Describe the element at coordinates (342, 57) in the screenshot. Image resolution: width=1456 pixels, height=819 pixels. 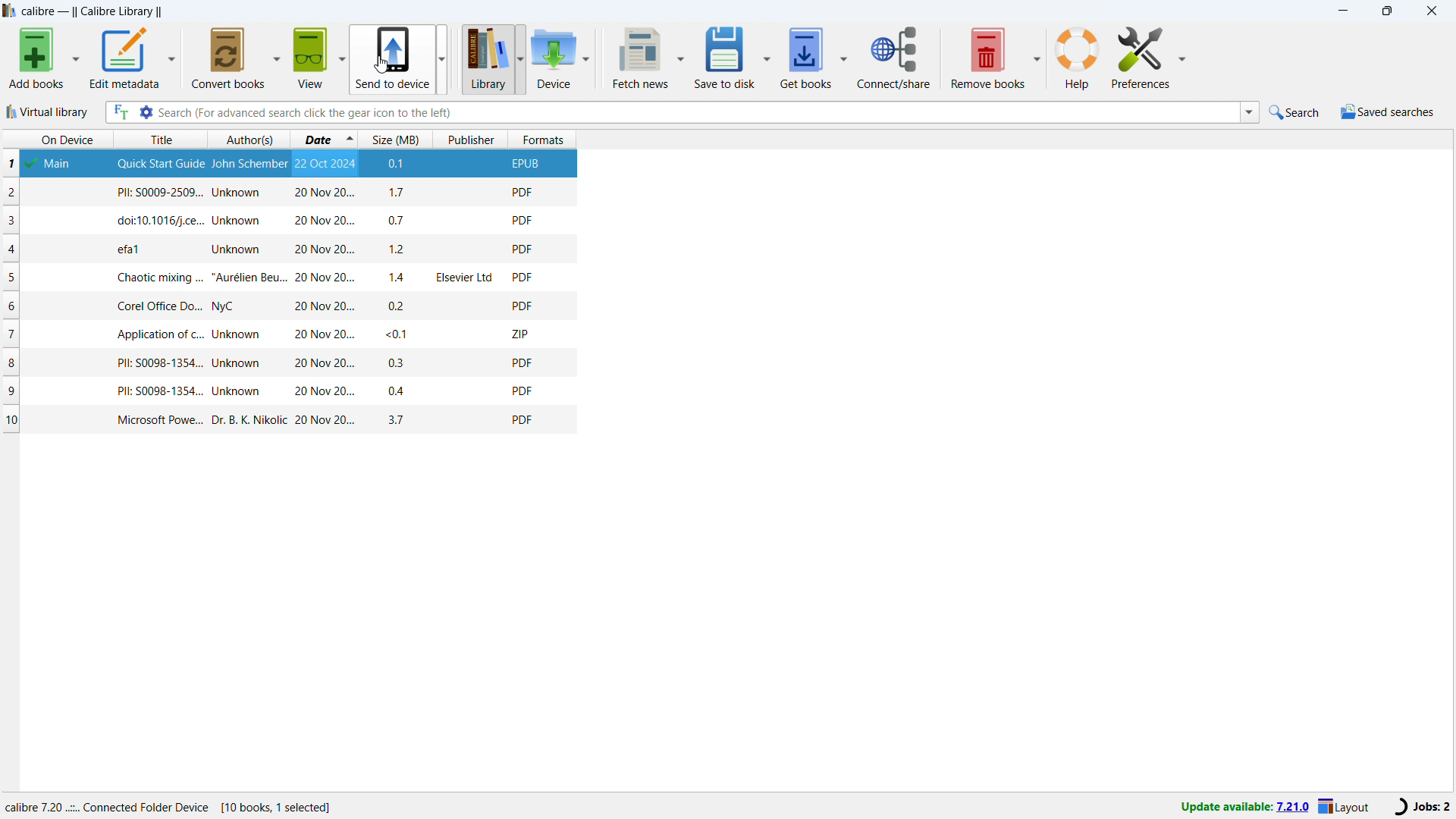
I see `view options` at that location.